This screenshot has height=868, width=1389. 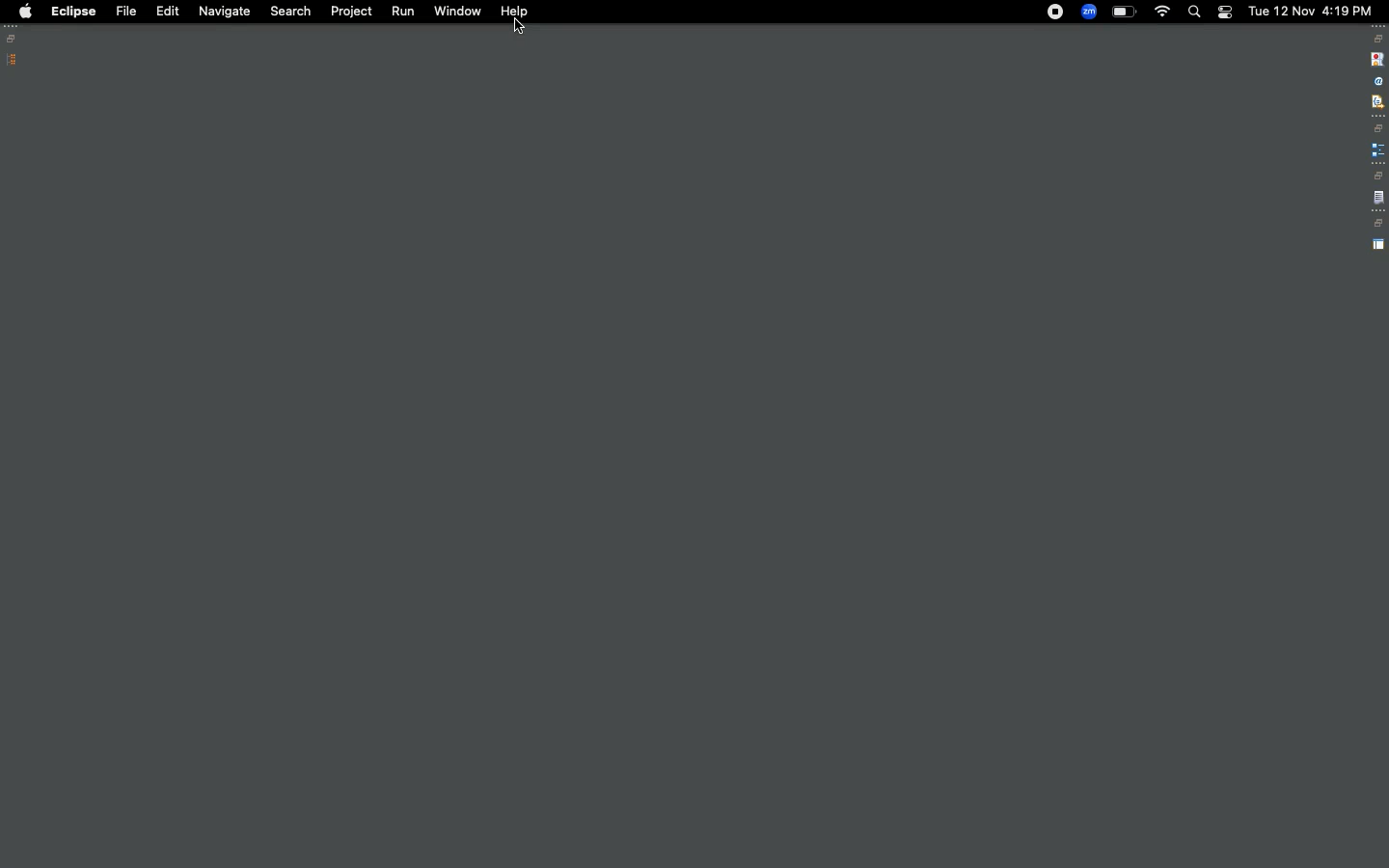 I want to click on cursor, so click(x=520, y=28).